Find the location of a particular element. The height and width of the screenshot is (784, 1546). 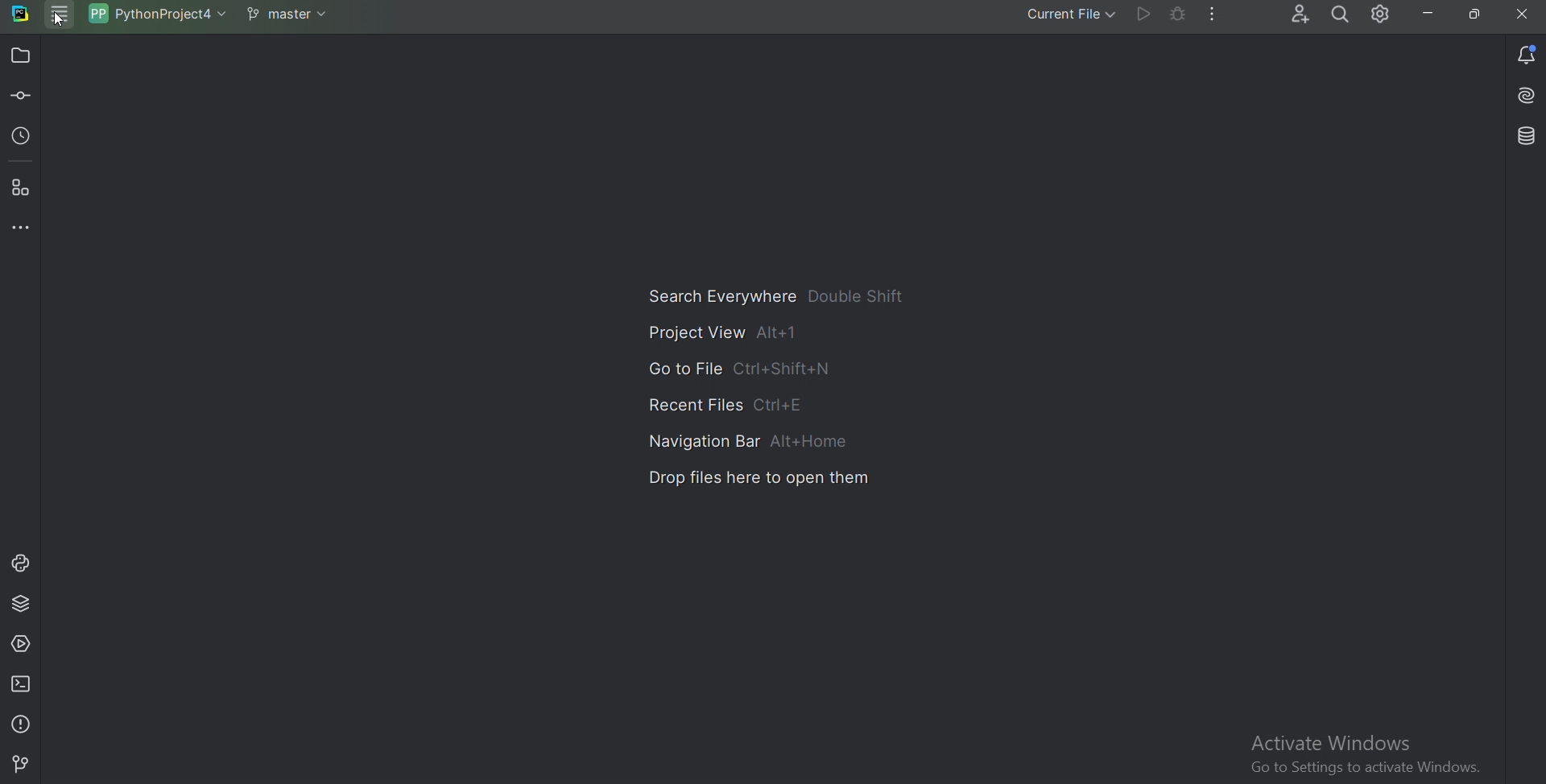

Navigation bar is located at coordinates (742, 438).